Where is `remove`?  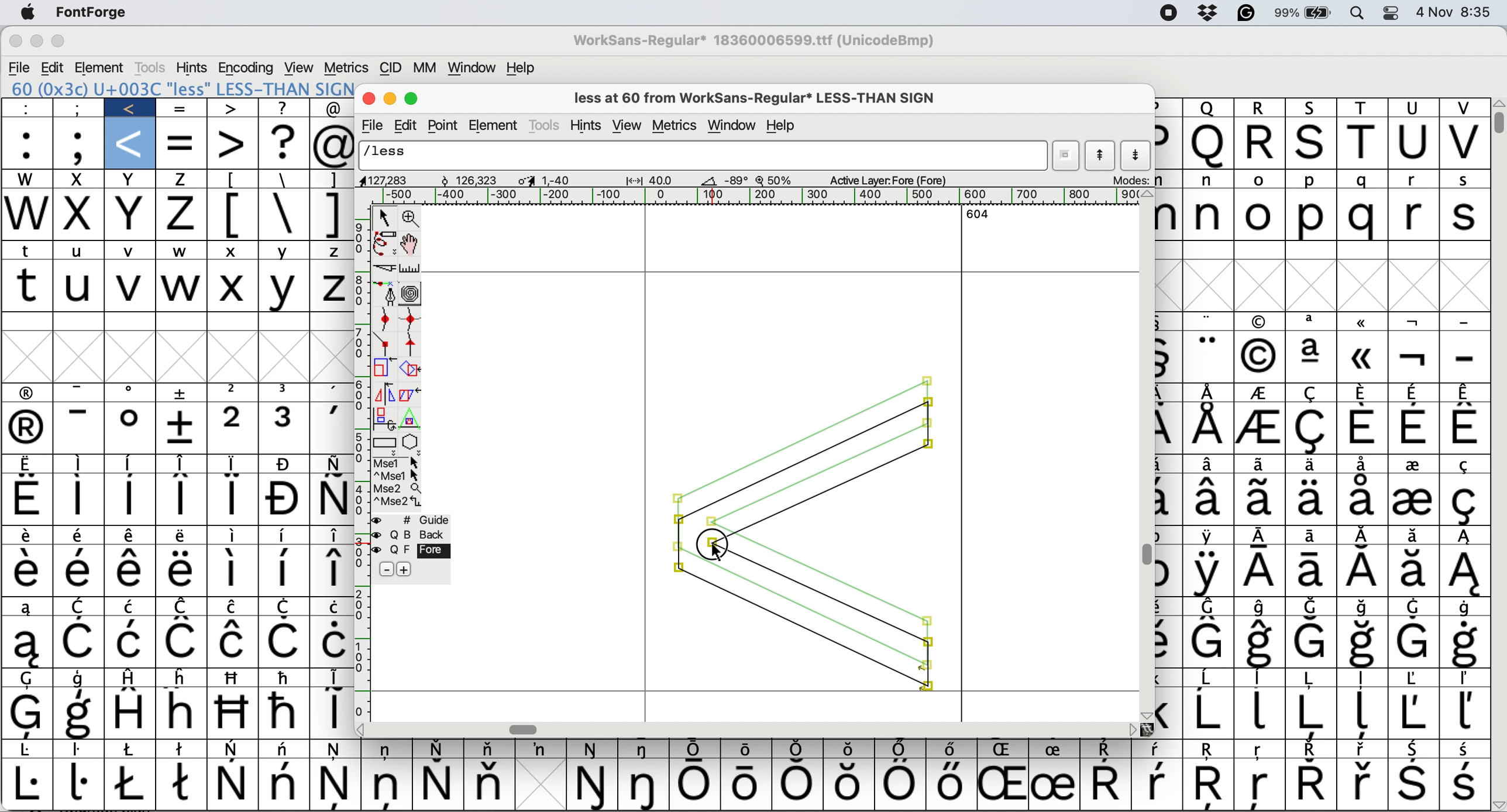 remove is located at coordinates (389, 568).